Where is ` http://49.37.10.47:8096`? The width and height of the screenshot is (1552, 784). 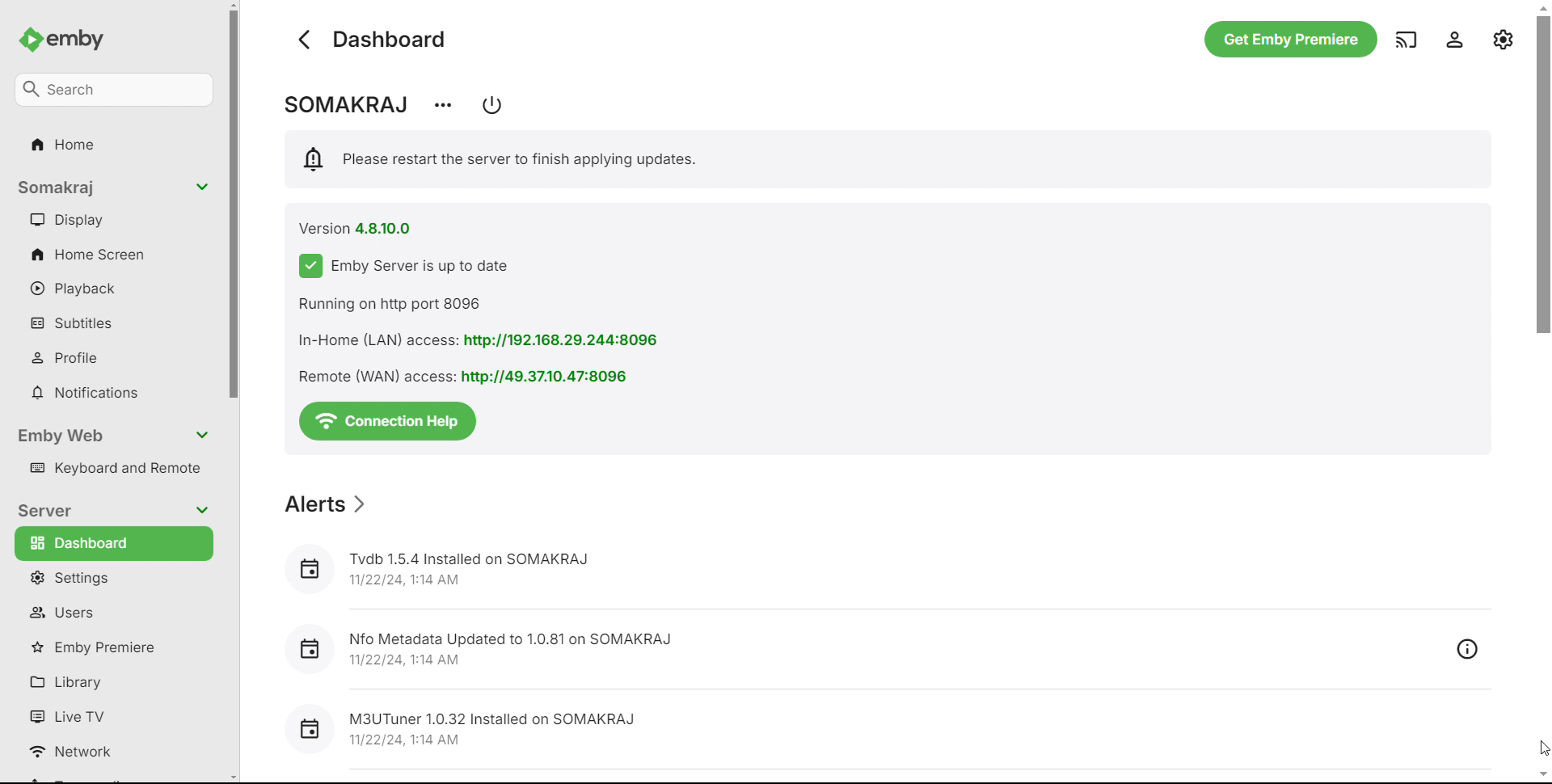
 http://49.37.10.47:8096 is located at coordinates (551, 377).